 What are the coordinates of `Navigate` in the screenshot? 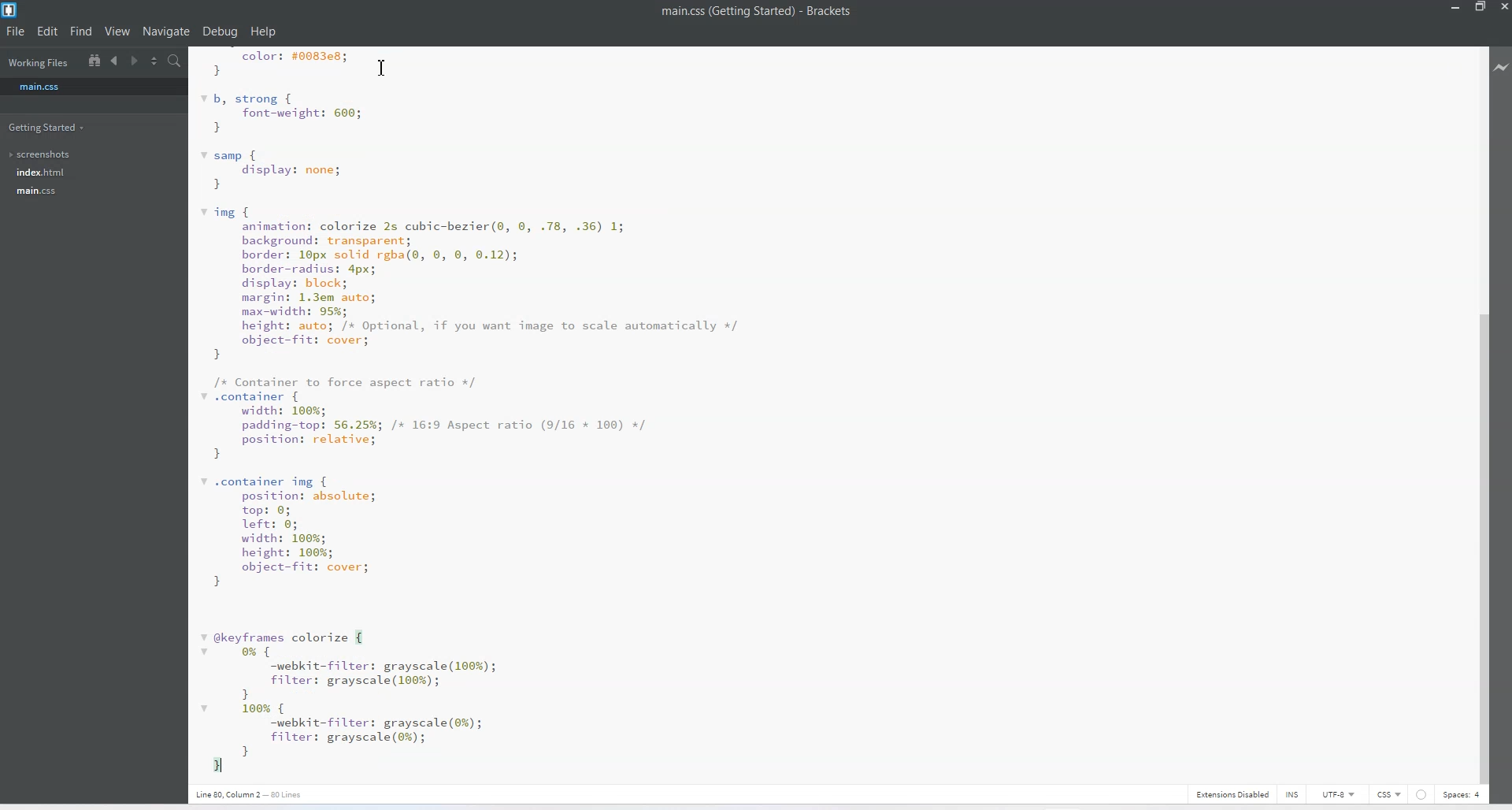 It's located at (167, 32).